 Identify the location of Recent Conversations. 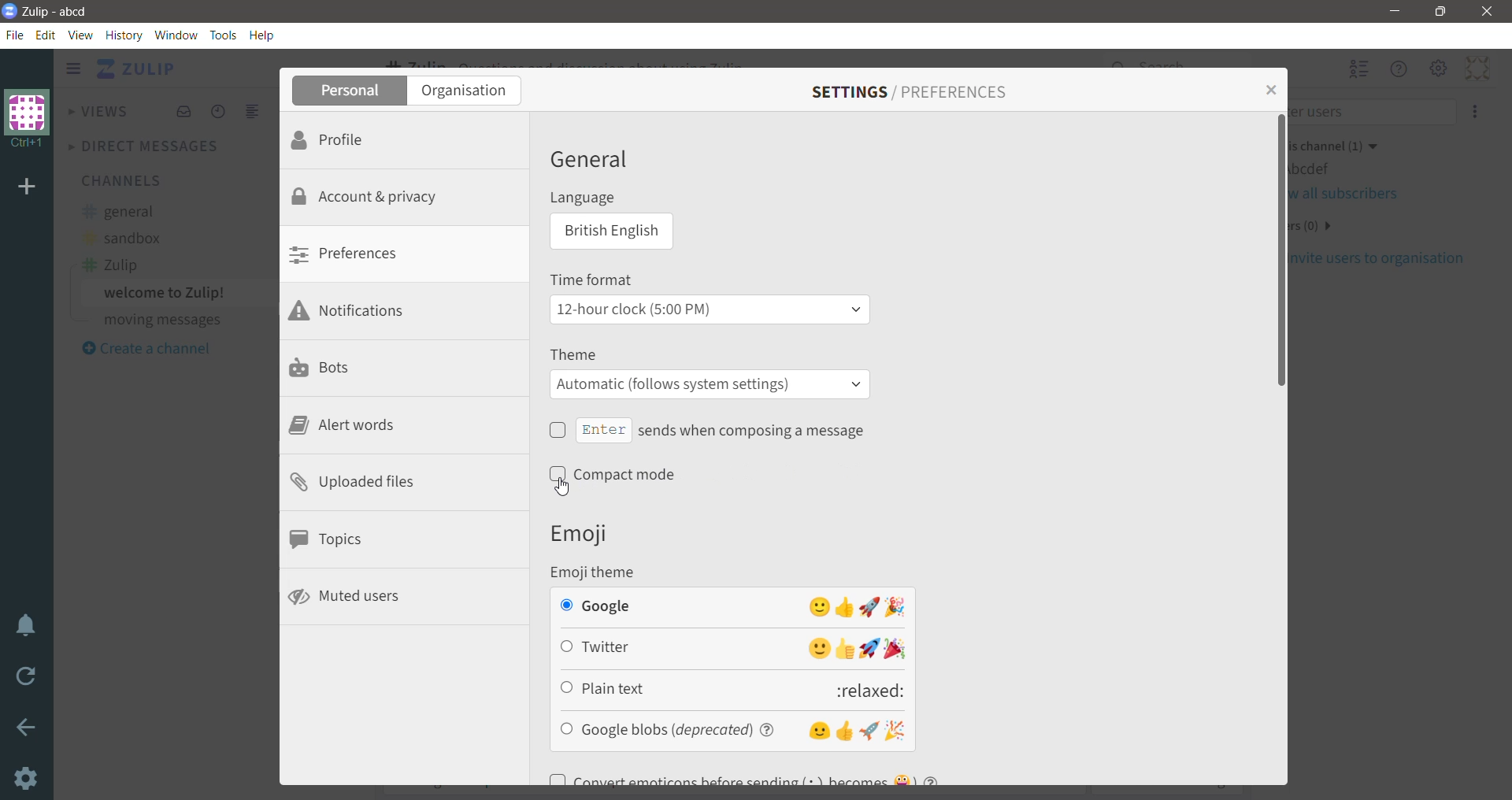
(219, 112).